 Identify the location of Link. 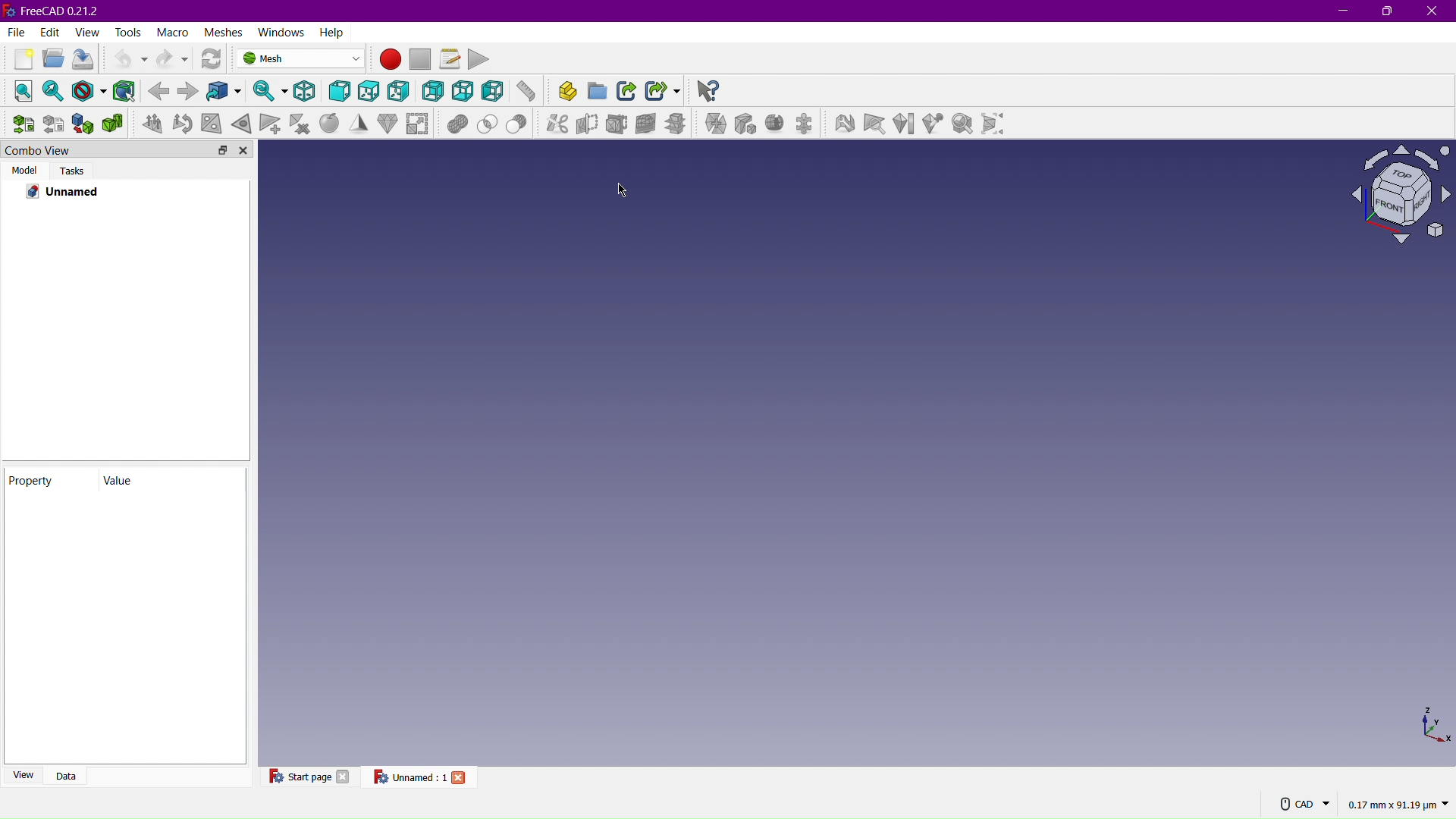
(629, 93).